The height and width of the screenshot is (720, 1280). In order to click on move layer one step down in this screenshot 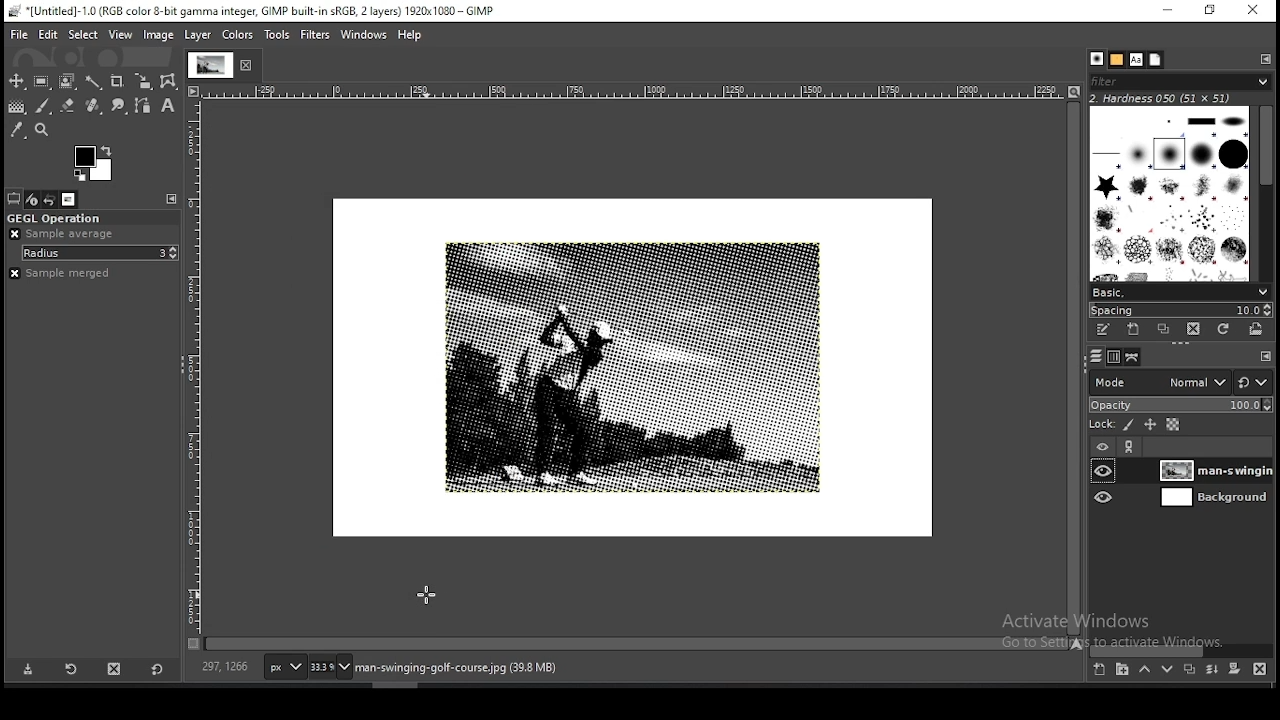, I will do `click(1166, 667)`.